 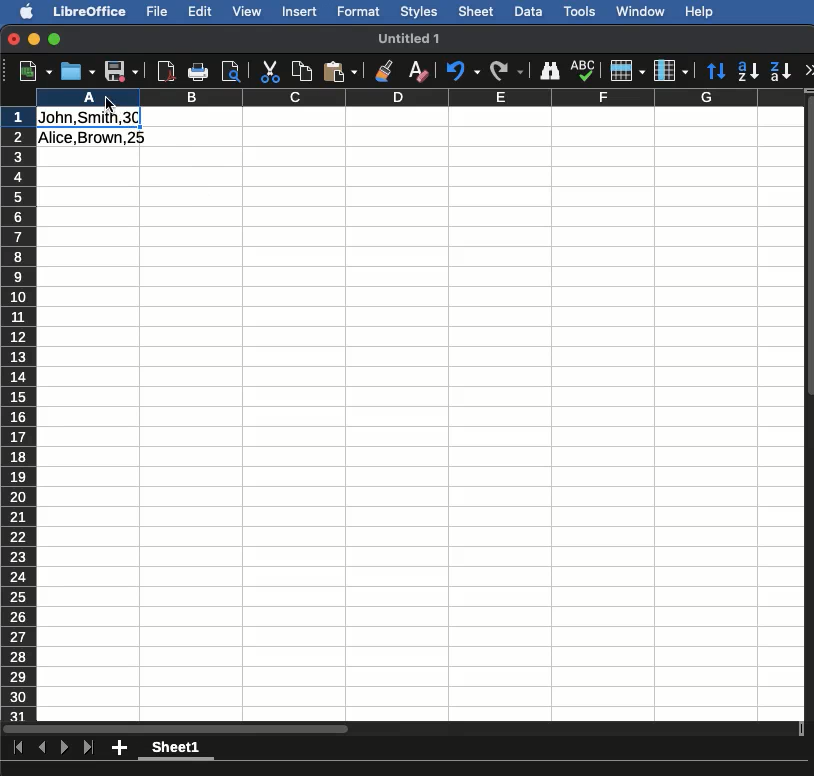 What do you see at coordinates (671, 69) in the screenshot?
I see `Columns` at bounding box center [671, 69].